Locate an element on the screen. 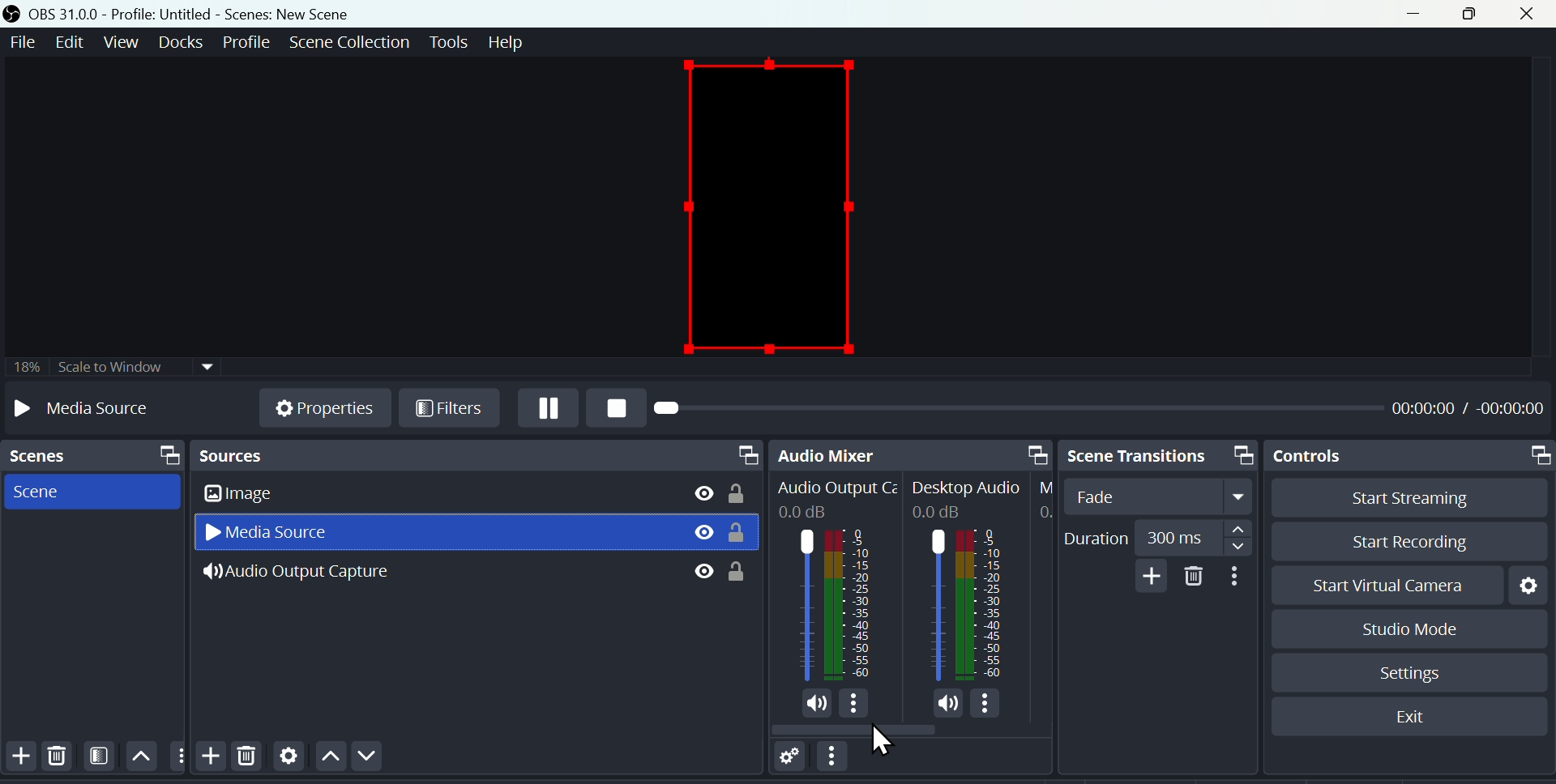 The width and height of the screenshot is (1556, 784). Seeker is located at coordinates (1011, 411).